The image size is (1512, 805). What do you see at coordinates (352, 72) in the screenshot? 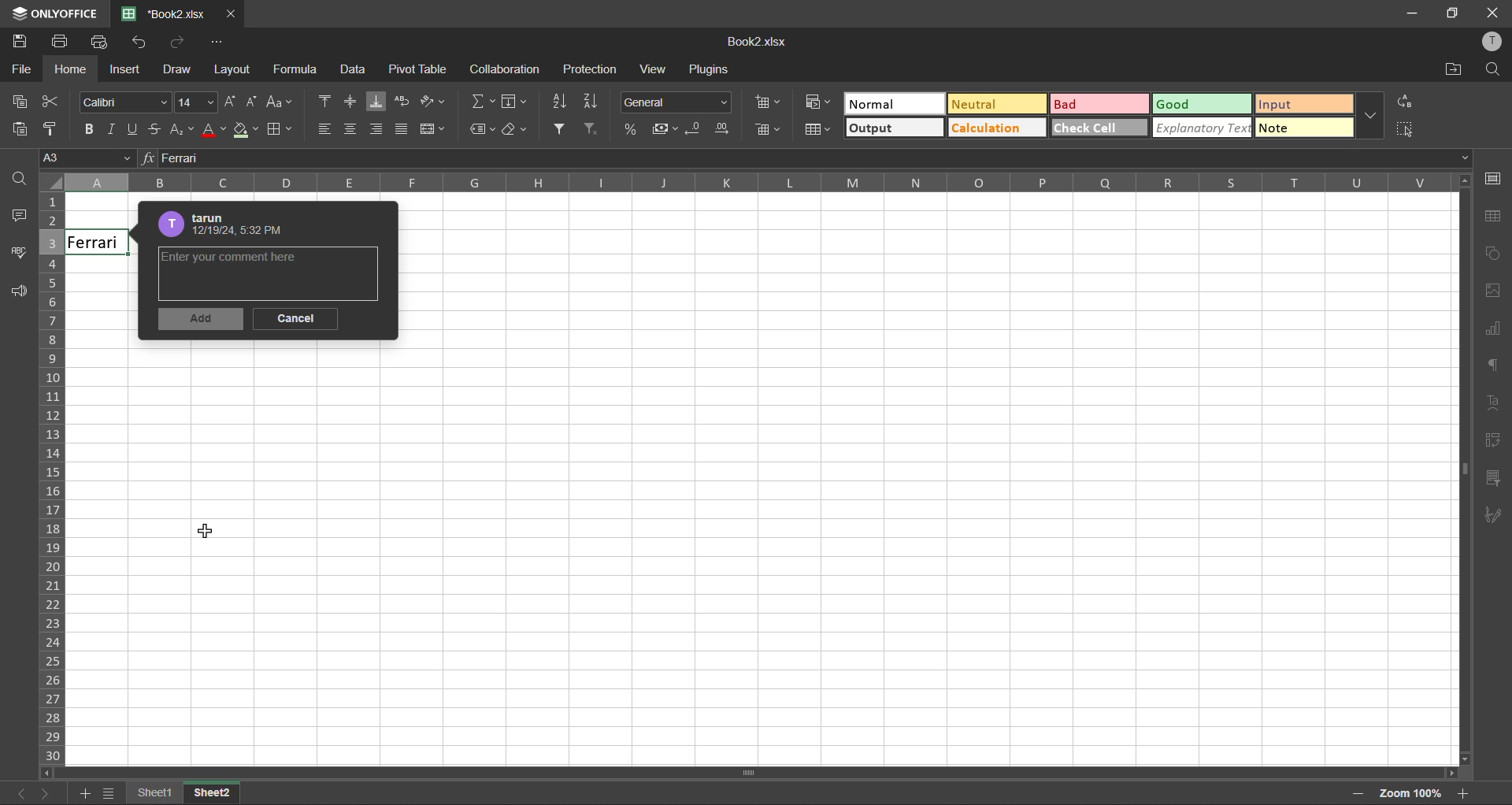
I see `data` at bounding box center [352, 72].